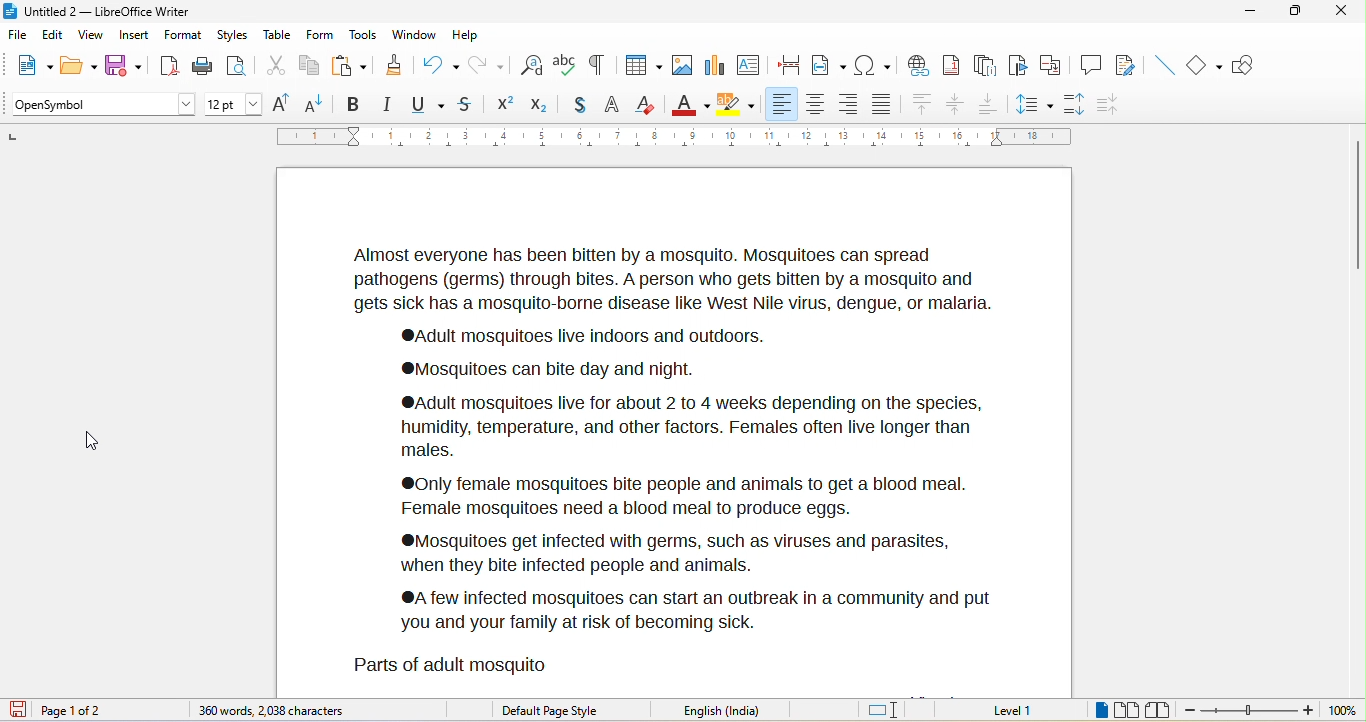 The width and height of the screenshot is (1366, 722). I want to click on justified, so click(881, 105).